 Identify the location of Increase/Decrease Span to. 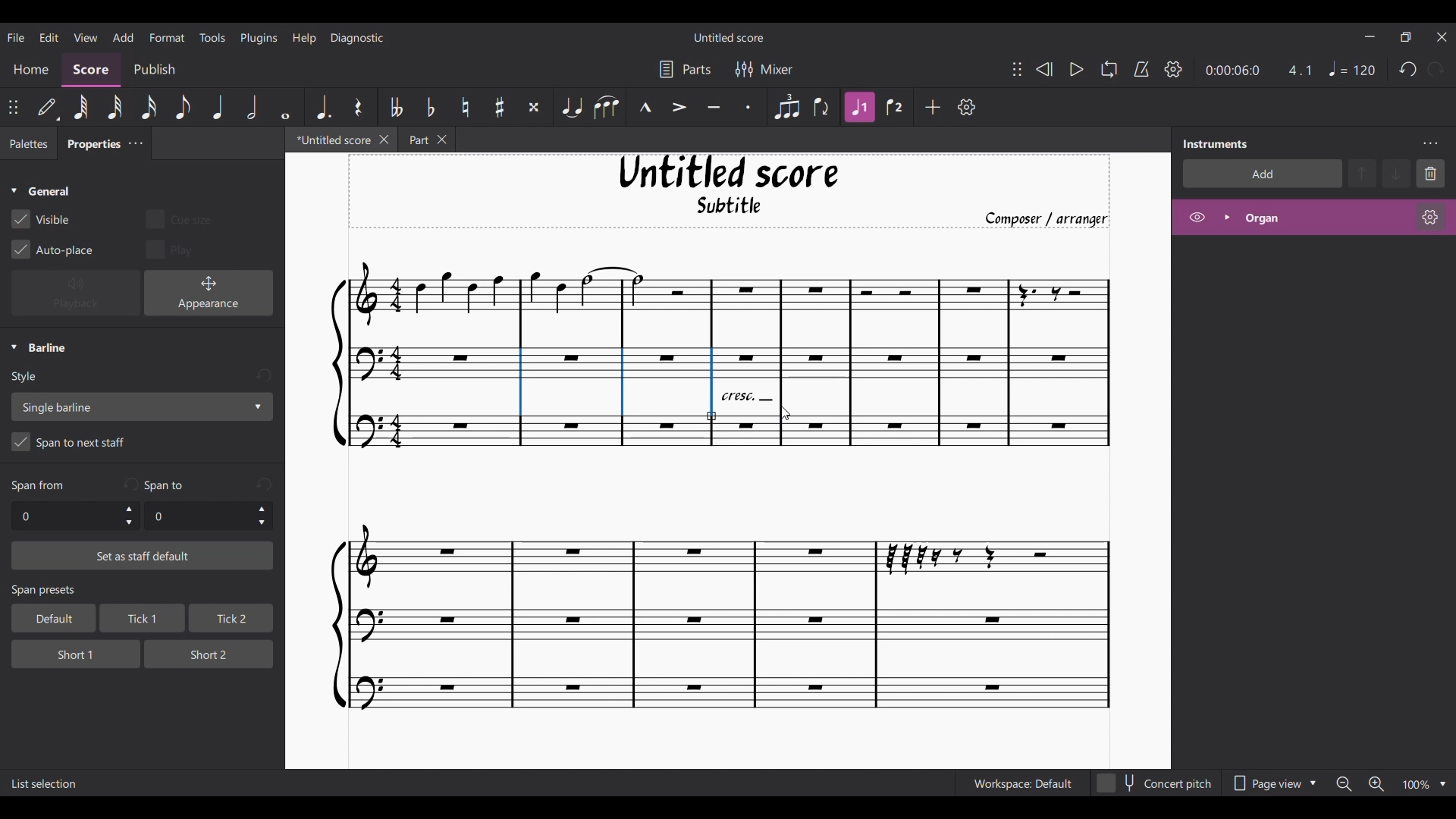
(262, 516).